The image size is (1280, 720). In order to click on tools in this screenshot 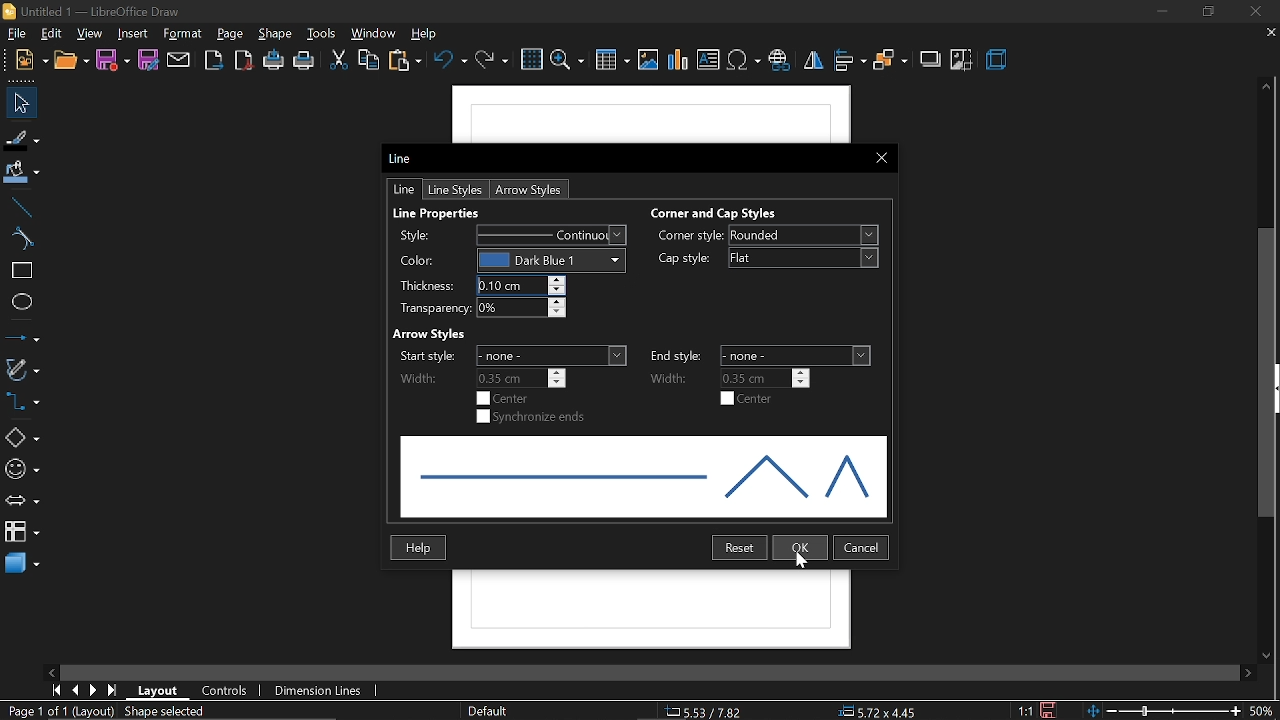, I will do `click(324, 34)`.